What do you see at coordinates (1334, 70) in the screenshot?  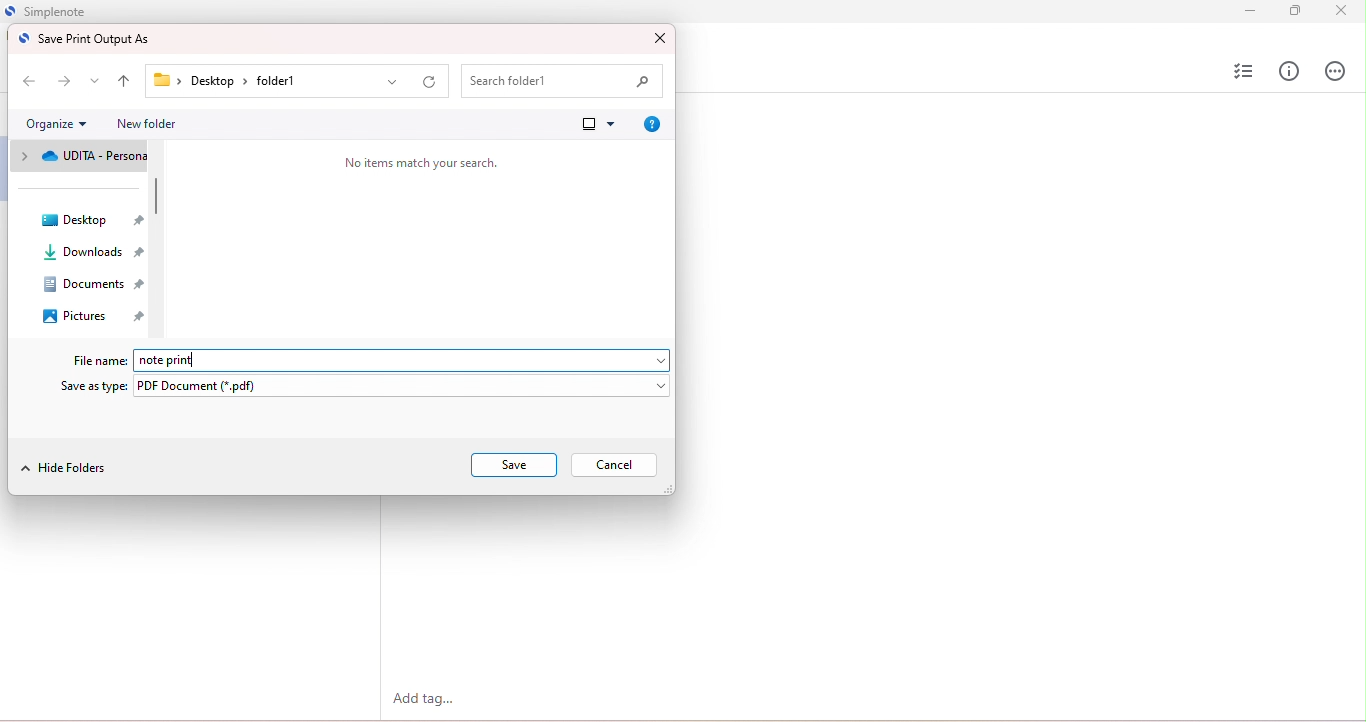 I see `actions` at bounding box center [1334, 70].